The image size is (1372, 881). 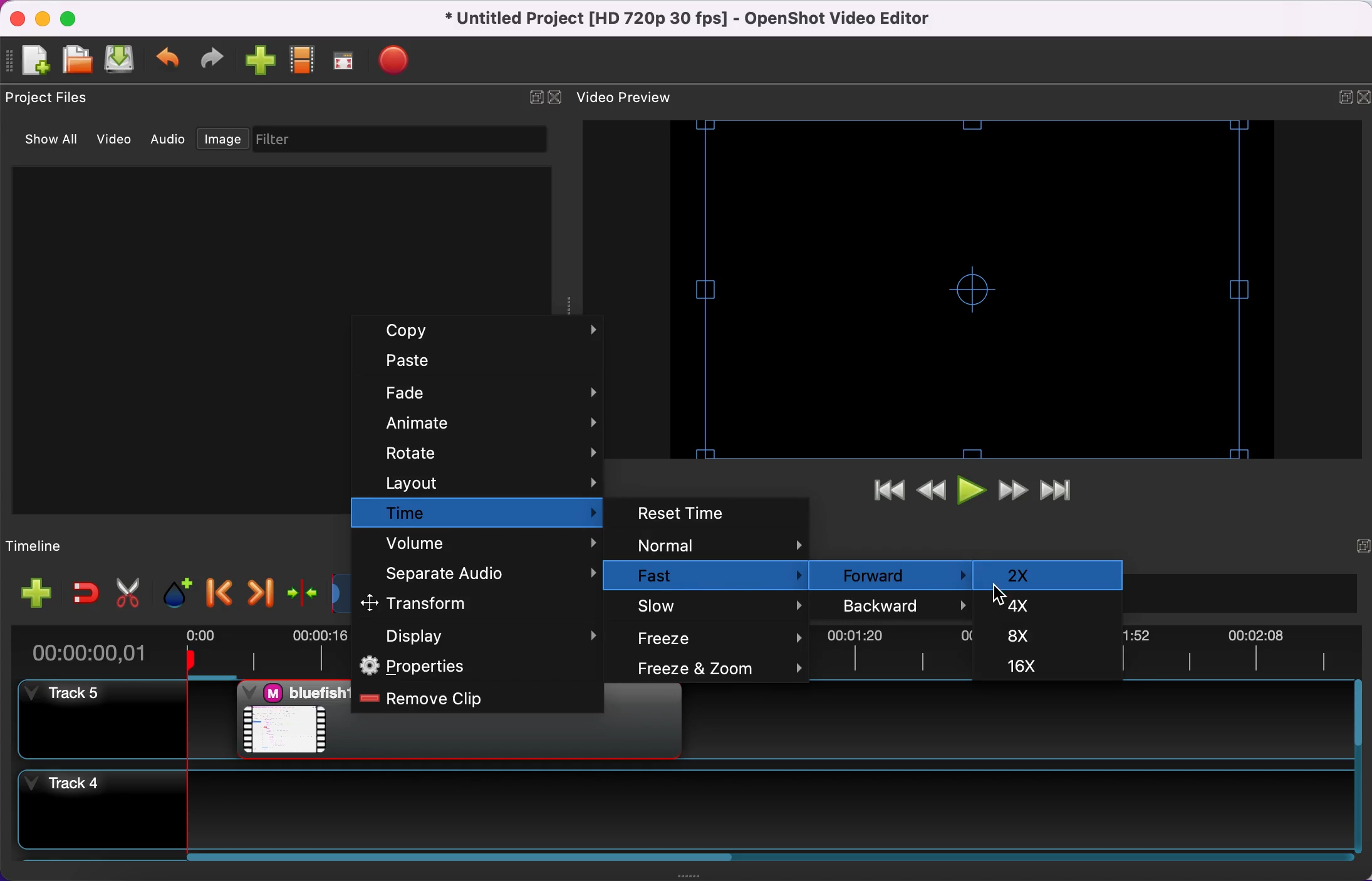 I want to click on open file, so click(x=78, y=61).